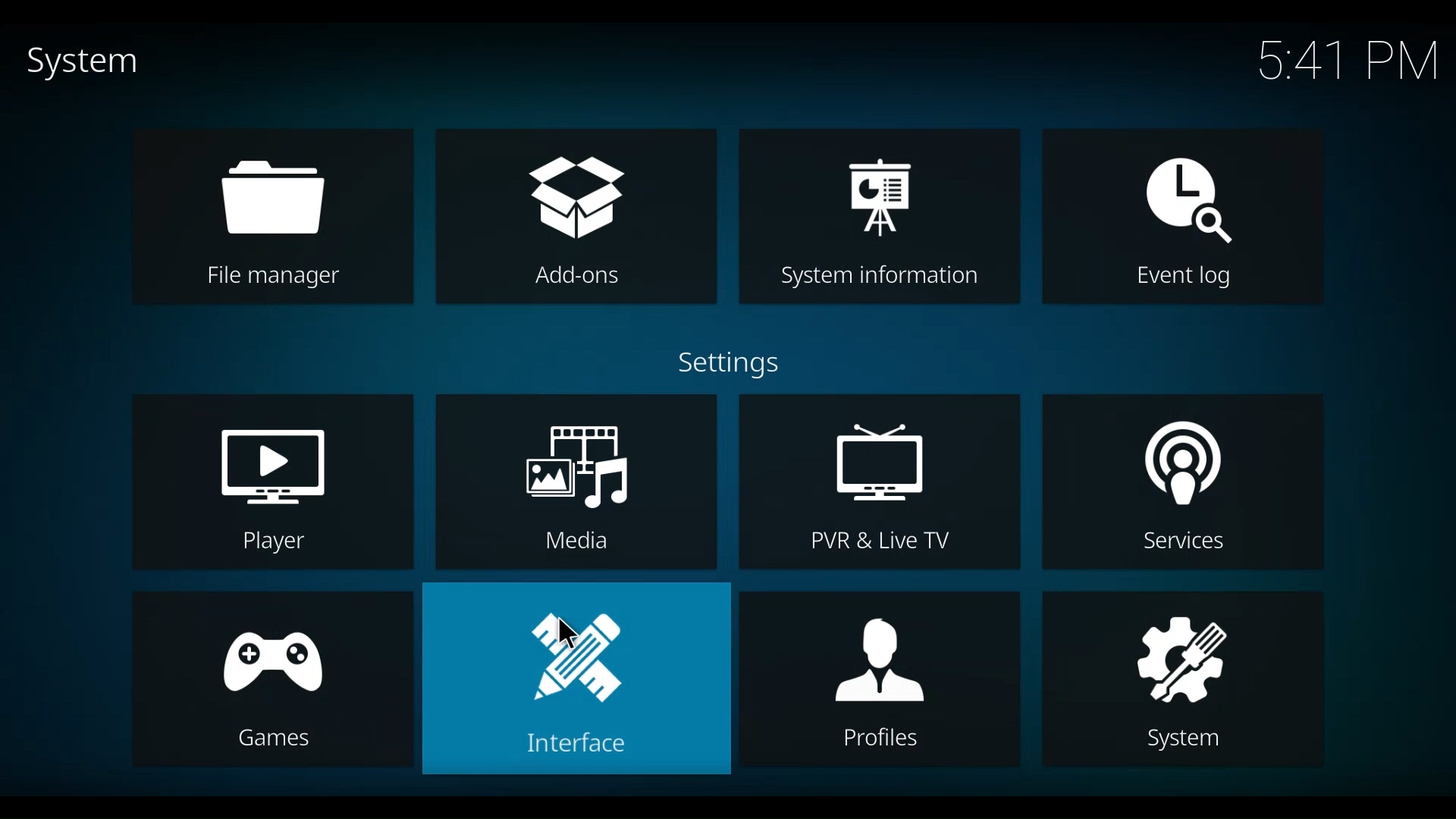 The width and height of the screenshot is (1456, 819). Describe the element at coordinates (274, 679) in the screenshot. I see `Games` at that location.